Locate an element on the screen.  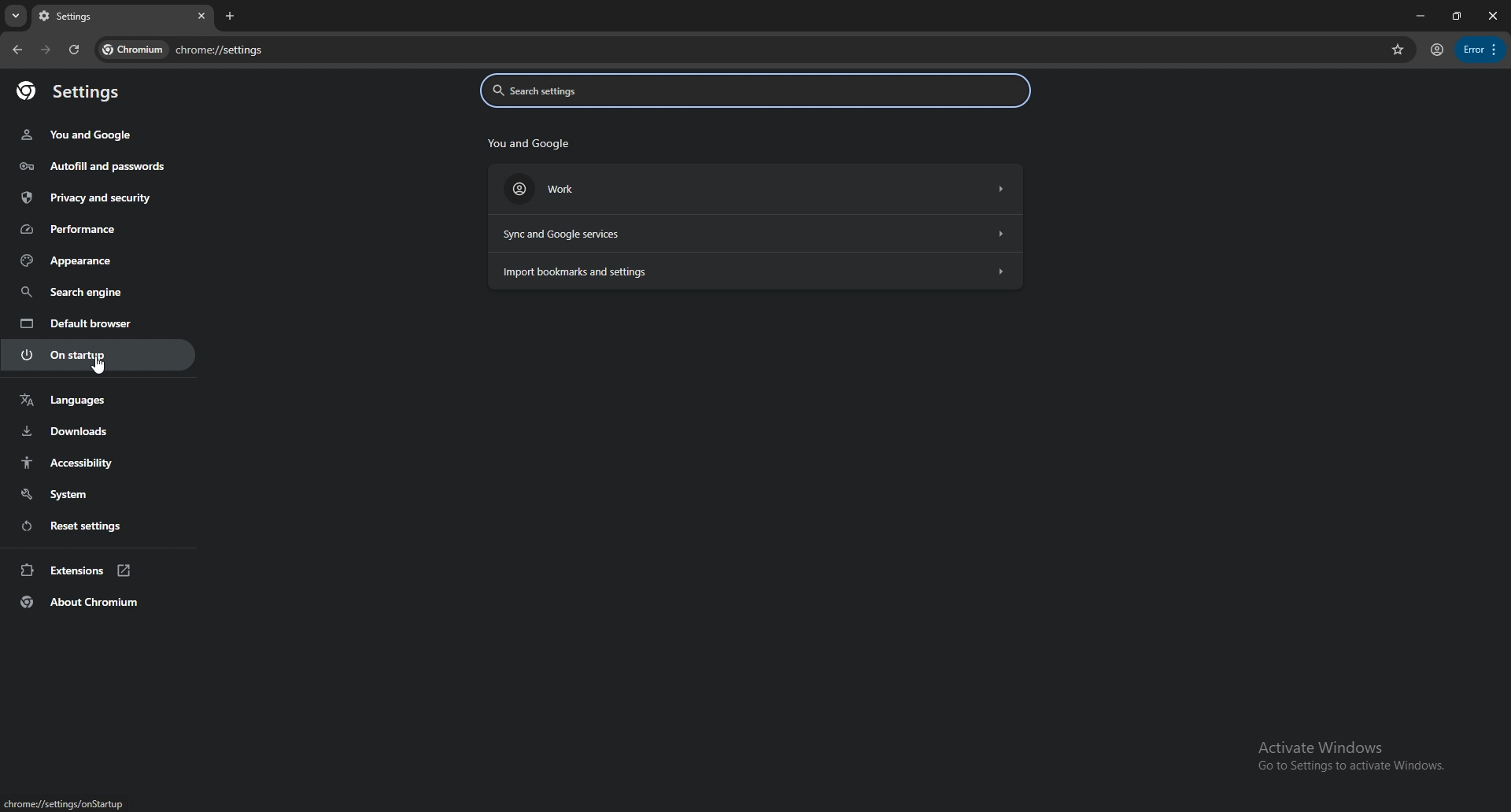
profile is located at coordinates (1436, 51).